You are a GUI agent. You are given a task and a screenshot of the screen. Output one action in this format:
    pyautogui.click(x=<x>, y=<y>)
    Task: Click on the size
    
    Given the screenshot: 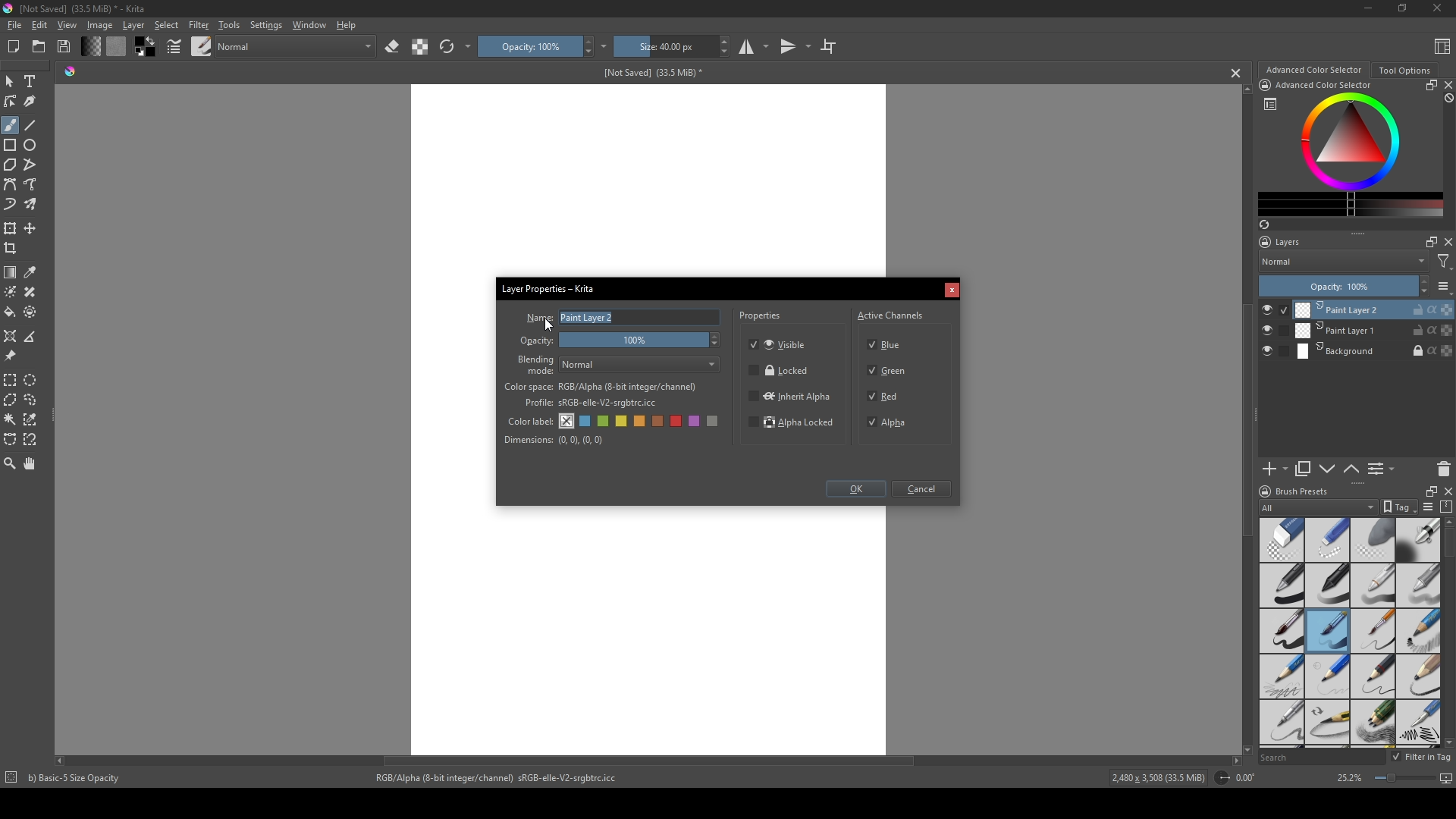 What is the action you would take?
    pyautogui.click(x=664, y=46)
    